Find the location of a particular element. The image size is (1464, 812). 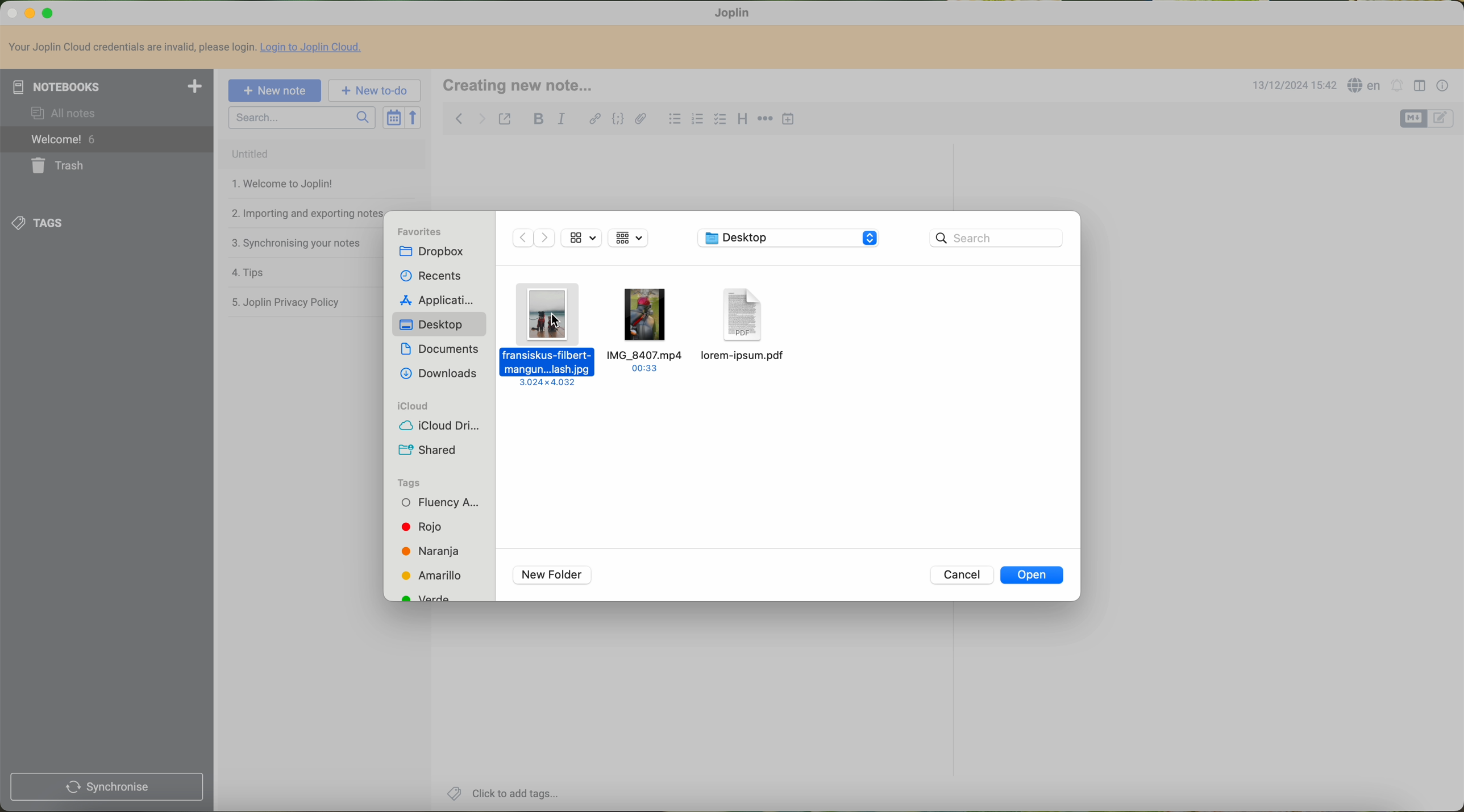

file size is located at coordinates (585, 238).